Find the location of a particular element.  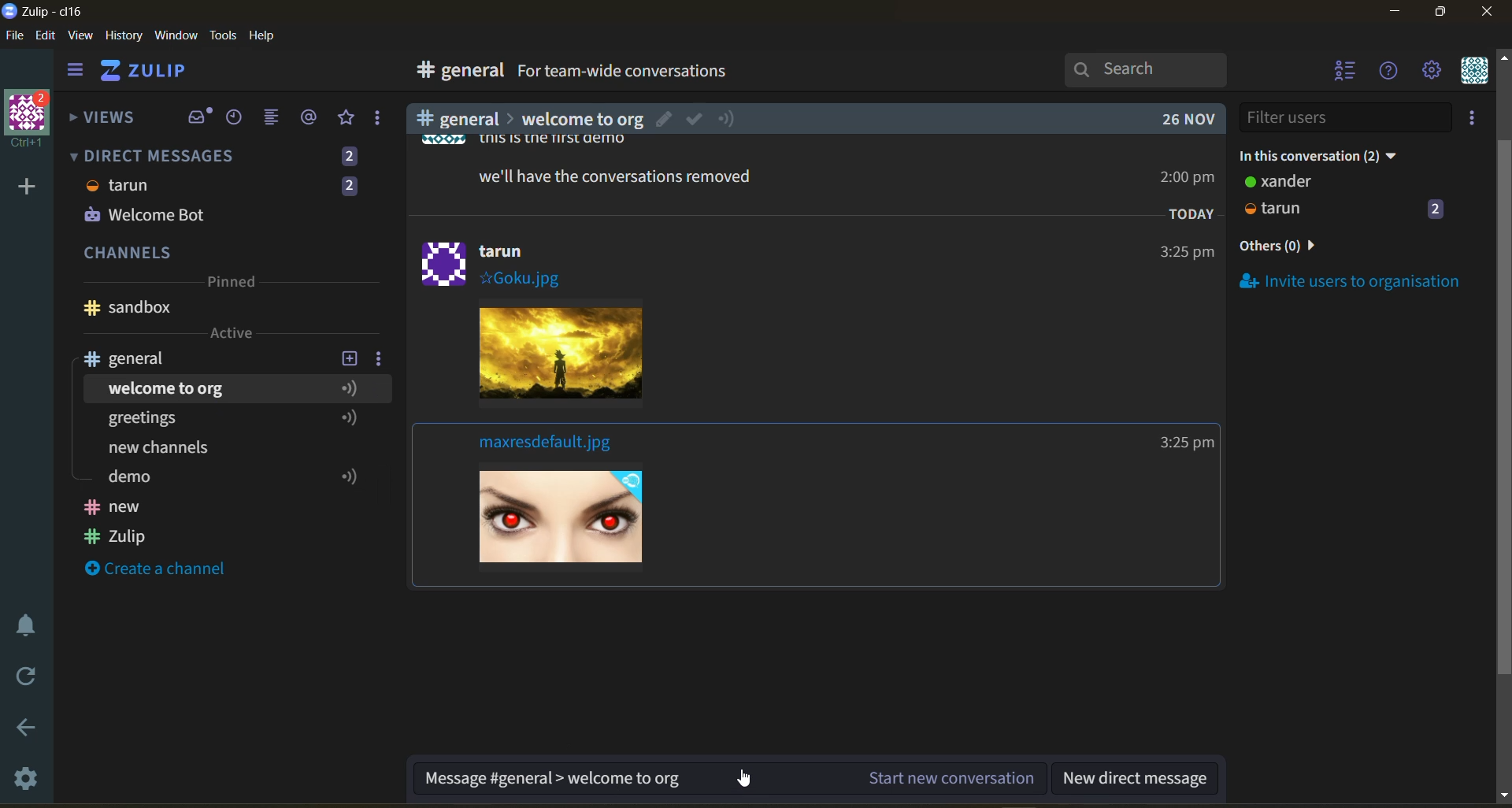

close is located at coordinates (1488, 17).